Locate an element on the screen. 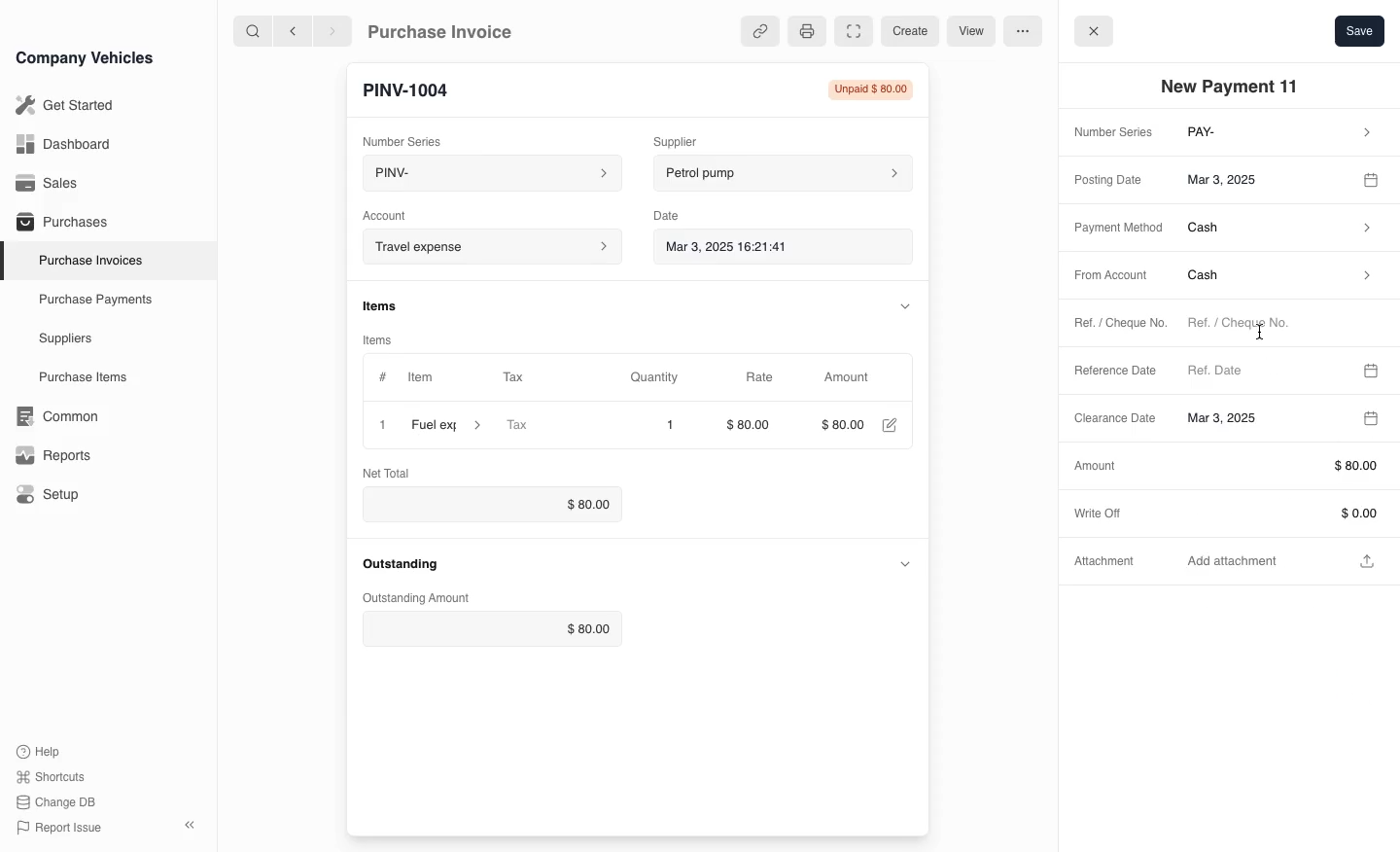 The width and height of the screenshot is (1400, 852). $0.00 is located at coordinates (486, 504).